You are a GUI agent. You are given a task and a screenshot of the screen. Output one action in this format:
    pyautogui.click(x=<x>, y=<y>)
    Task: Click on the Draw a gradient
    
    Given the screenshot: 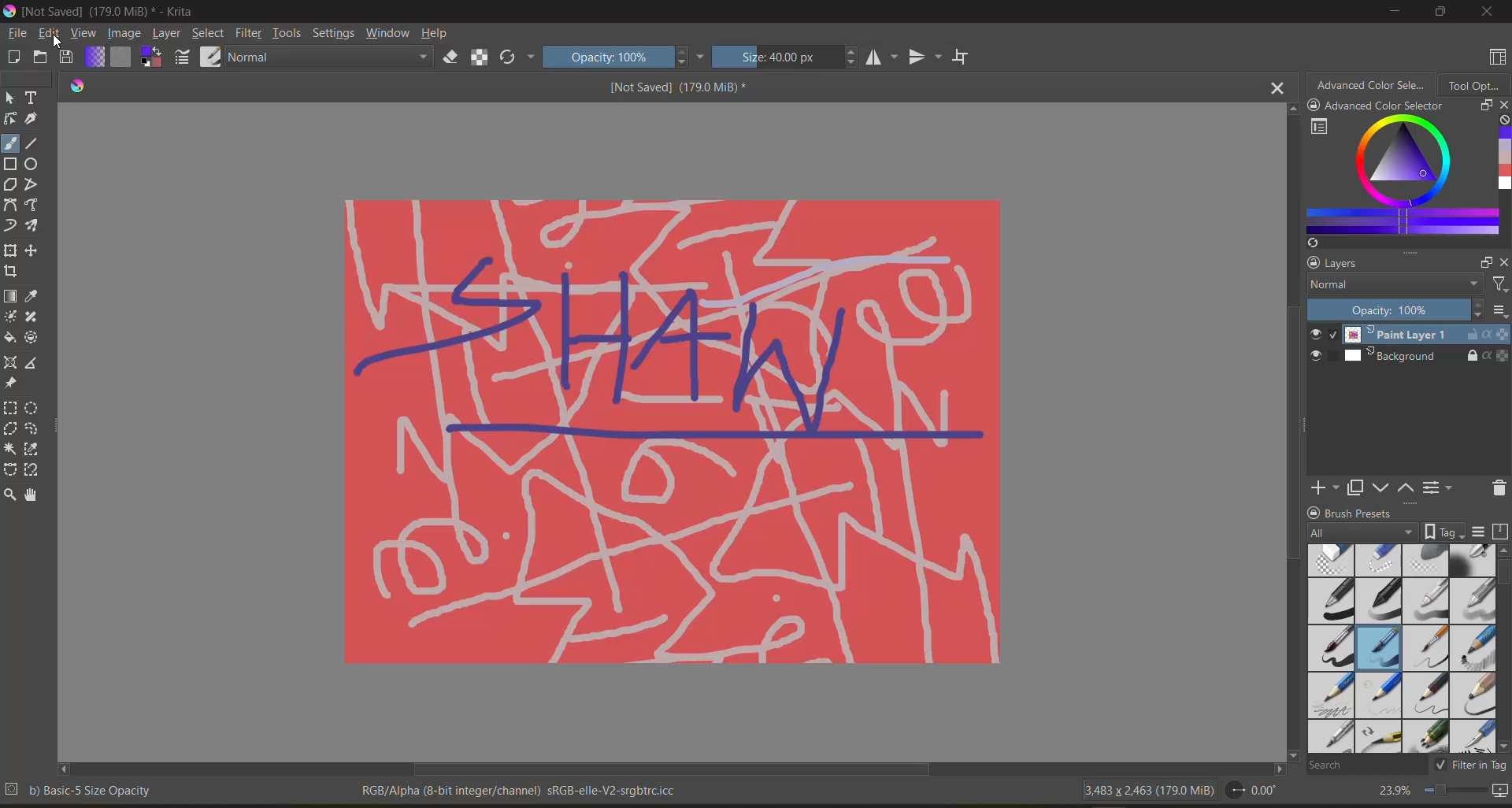 What is the action you would take?
    pyautogui.click(x=11, y=296)
    